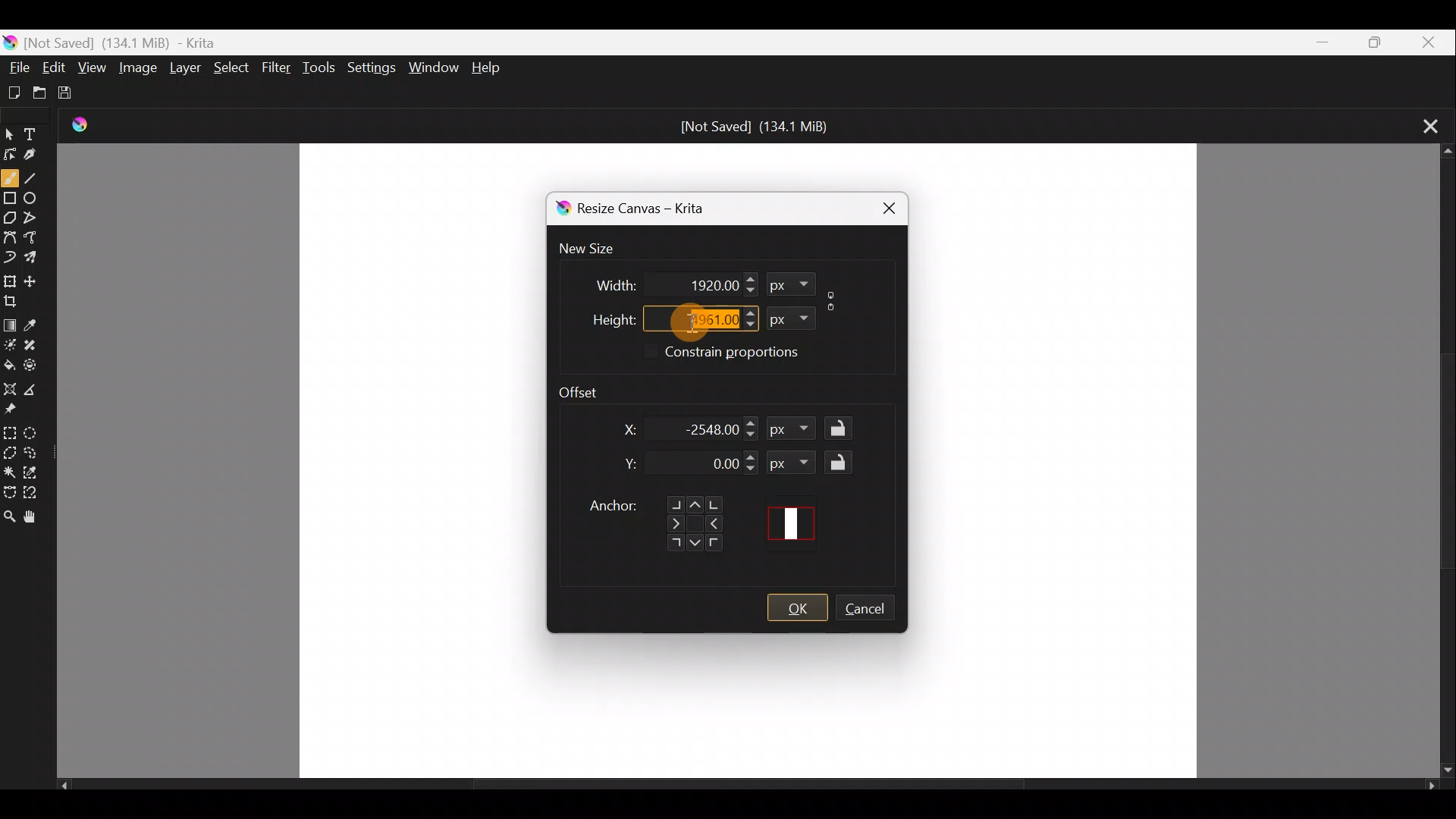 The width and height of the screenshot is (1456, 819). Describe the element at coordinates (36, 435) in the screenshot. I see `Elliptical selection tool` at that location.